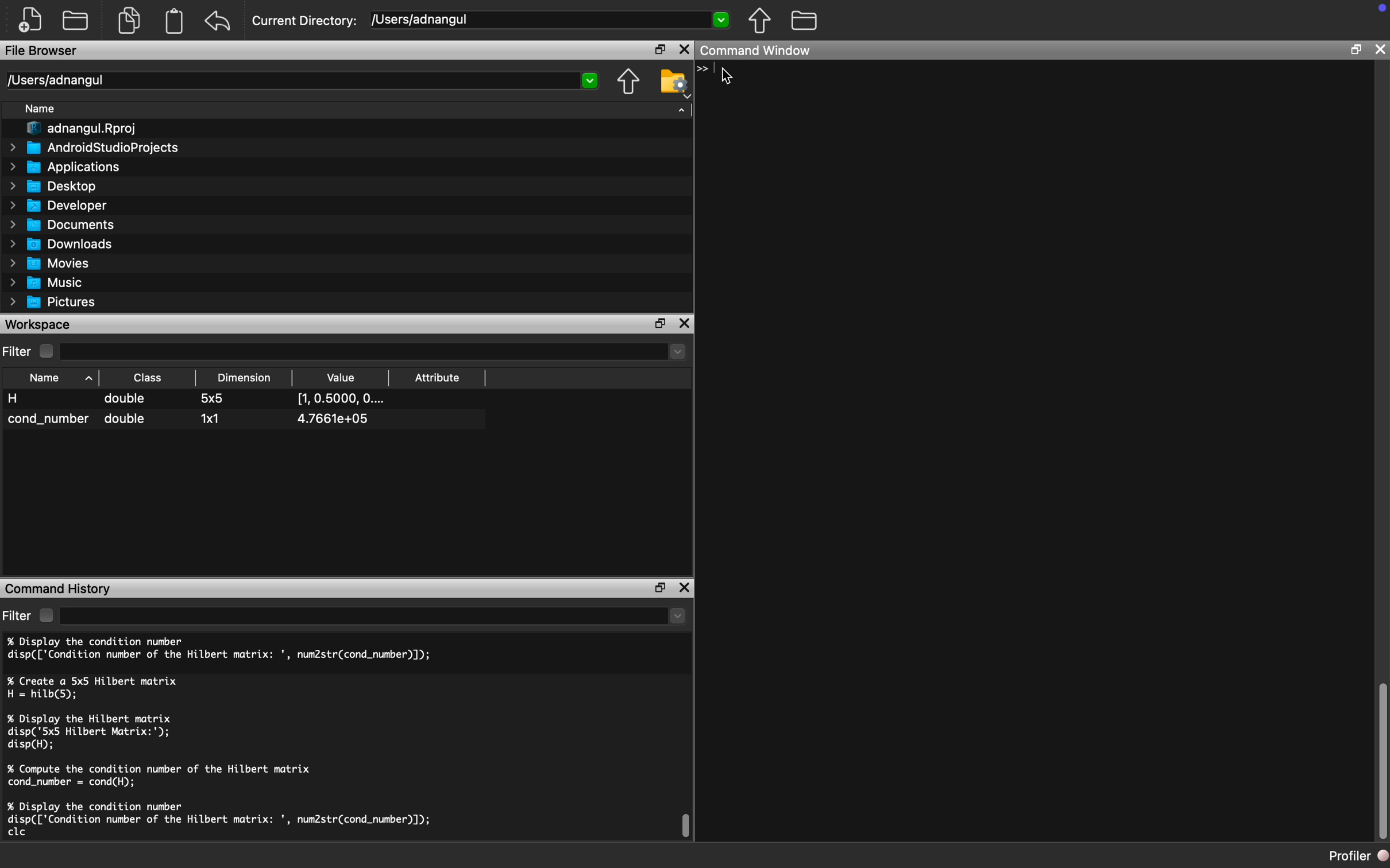  What do you see at coordinates (46, 350) in the screenshot?
I see `Checkbox` at bounding box center [46, 350].